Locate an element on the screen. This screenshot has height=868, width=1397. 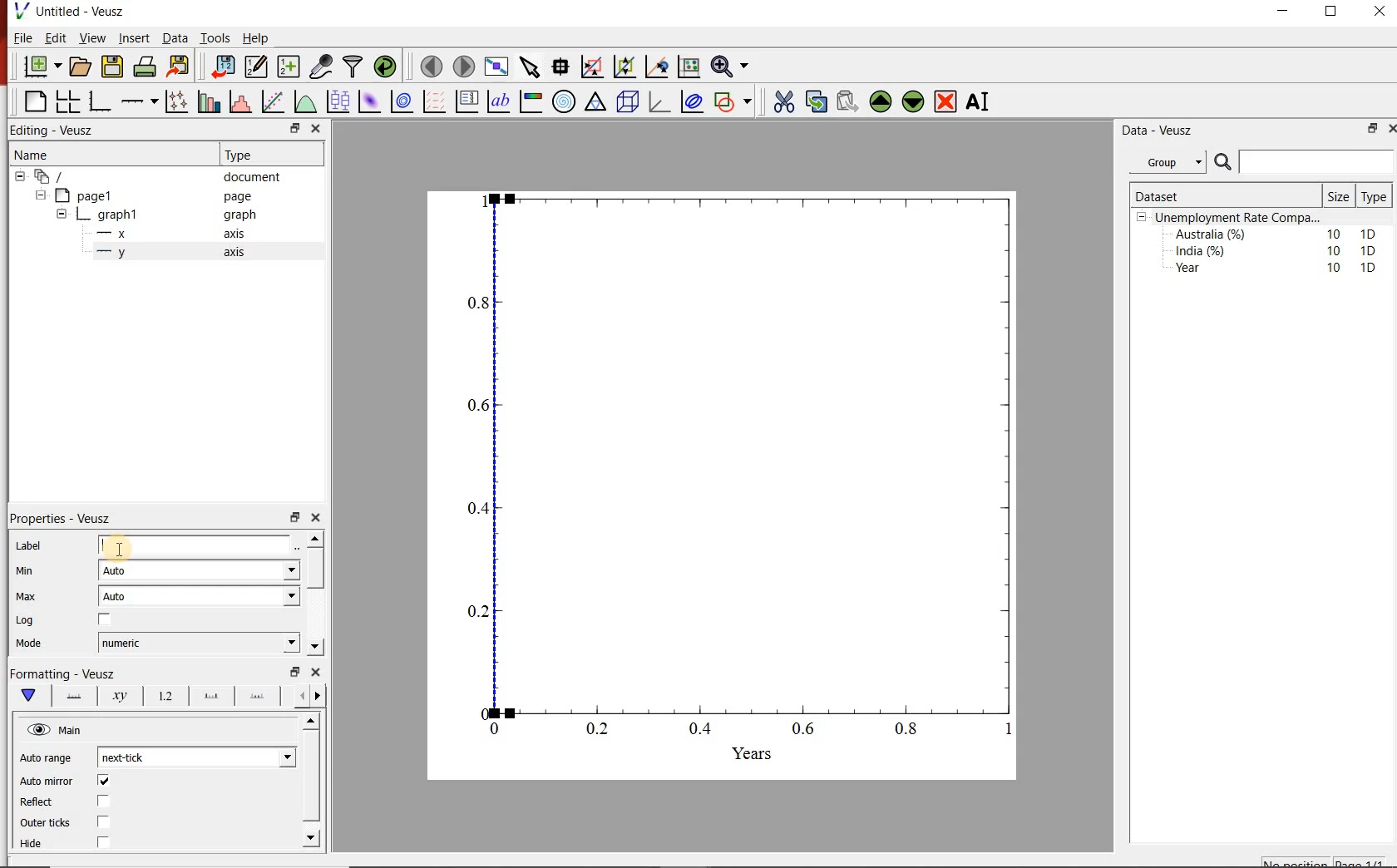
Data - Veusz is located at coordinates (1173, 131).